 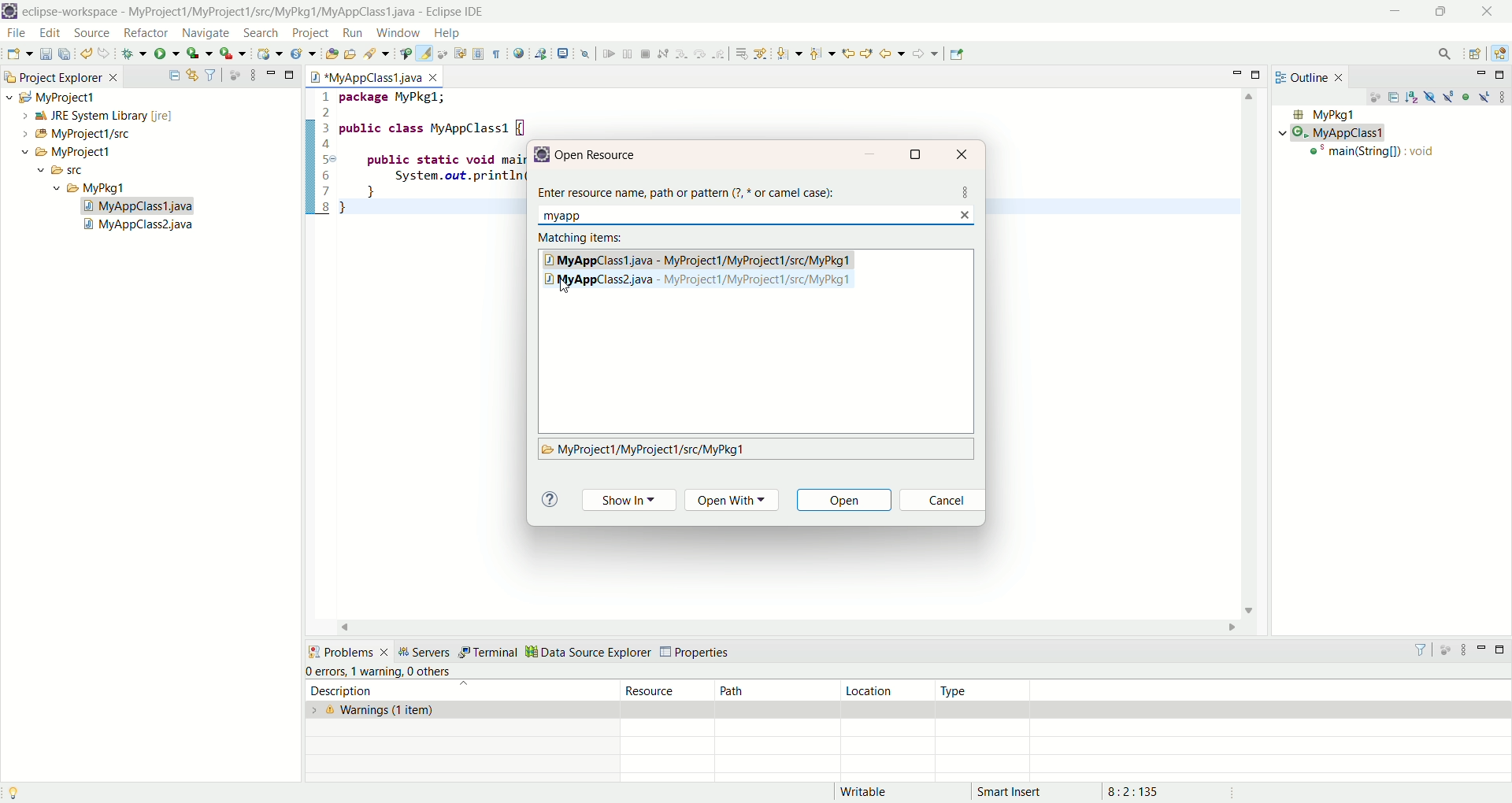 What do you see at coordinates (452, 690) in the screenshot?
I see `description` at bounding box center [452, 690].